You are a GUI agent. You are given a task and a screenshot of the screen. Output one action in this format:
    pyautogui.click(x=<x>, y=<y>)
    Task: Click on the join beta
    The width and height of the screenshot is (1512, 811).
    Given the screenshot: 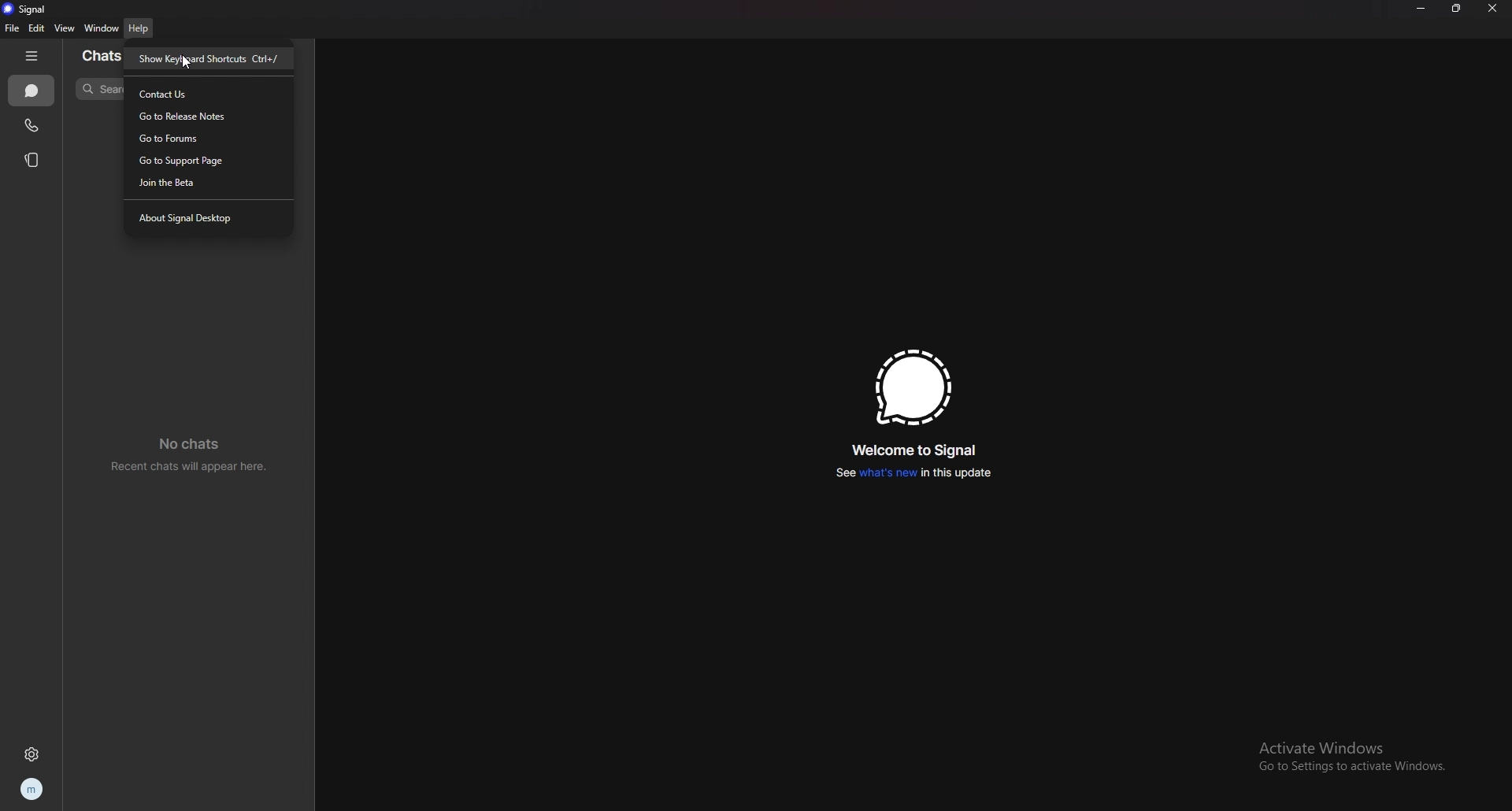 What is the action you would take?
    pyautogui.click(x=207, y=183)
    